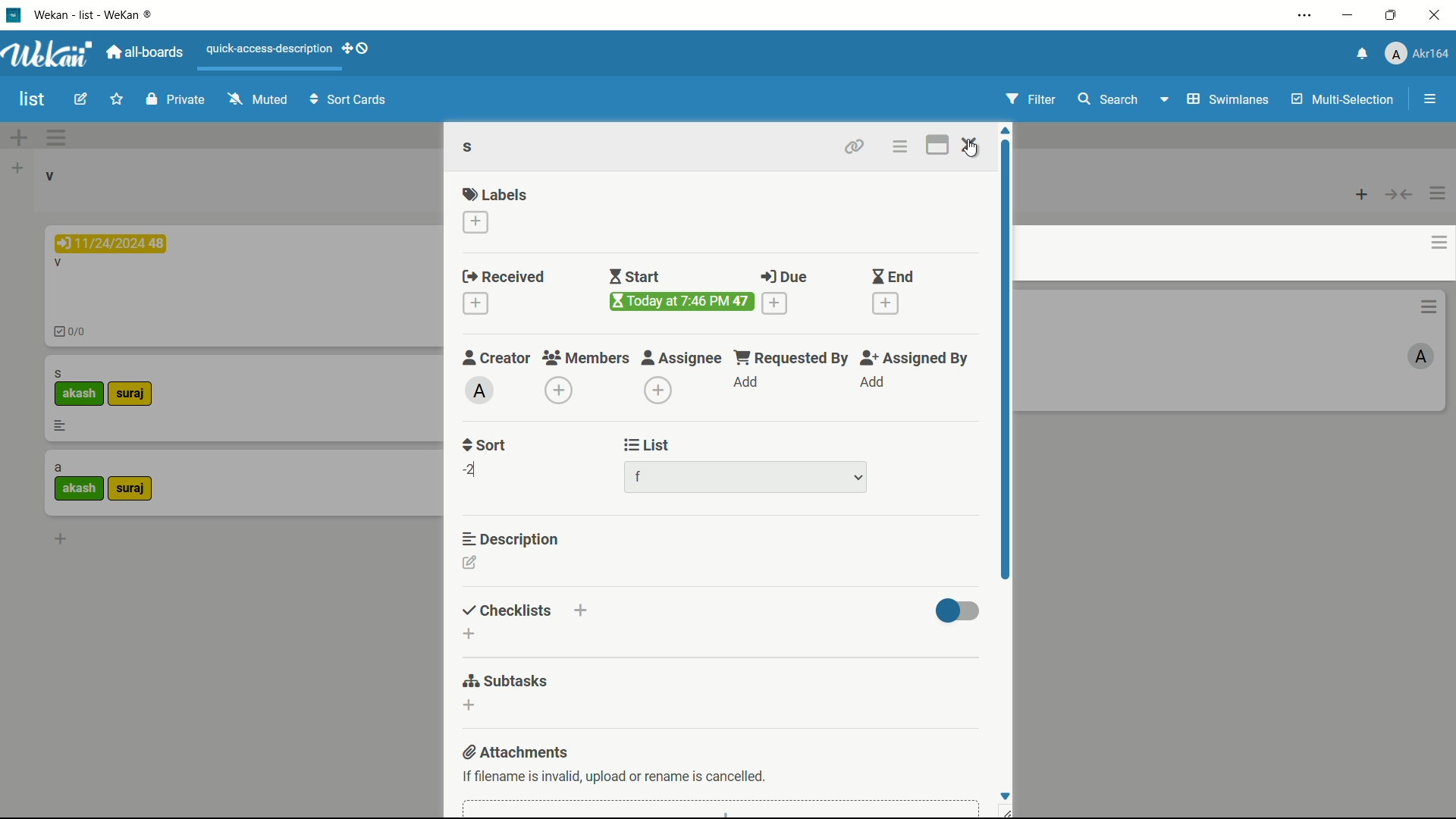 This screenshot has height=819, width=1456. Describe the element at coordinates (613, 776) in the screenshot. I see `text` at that location.